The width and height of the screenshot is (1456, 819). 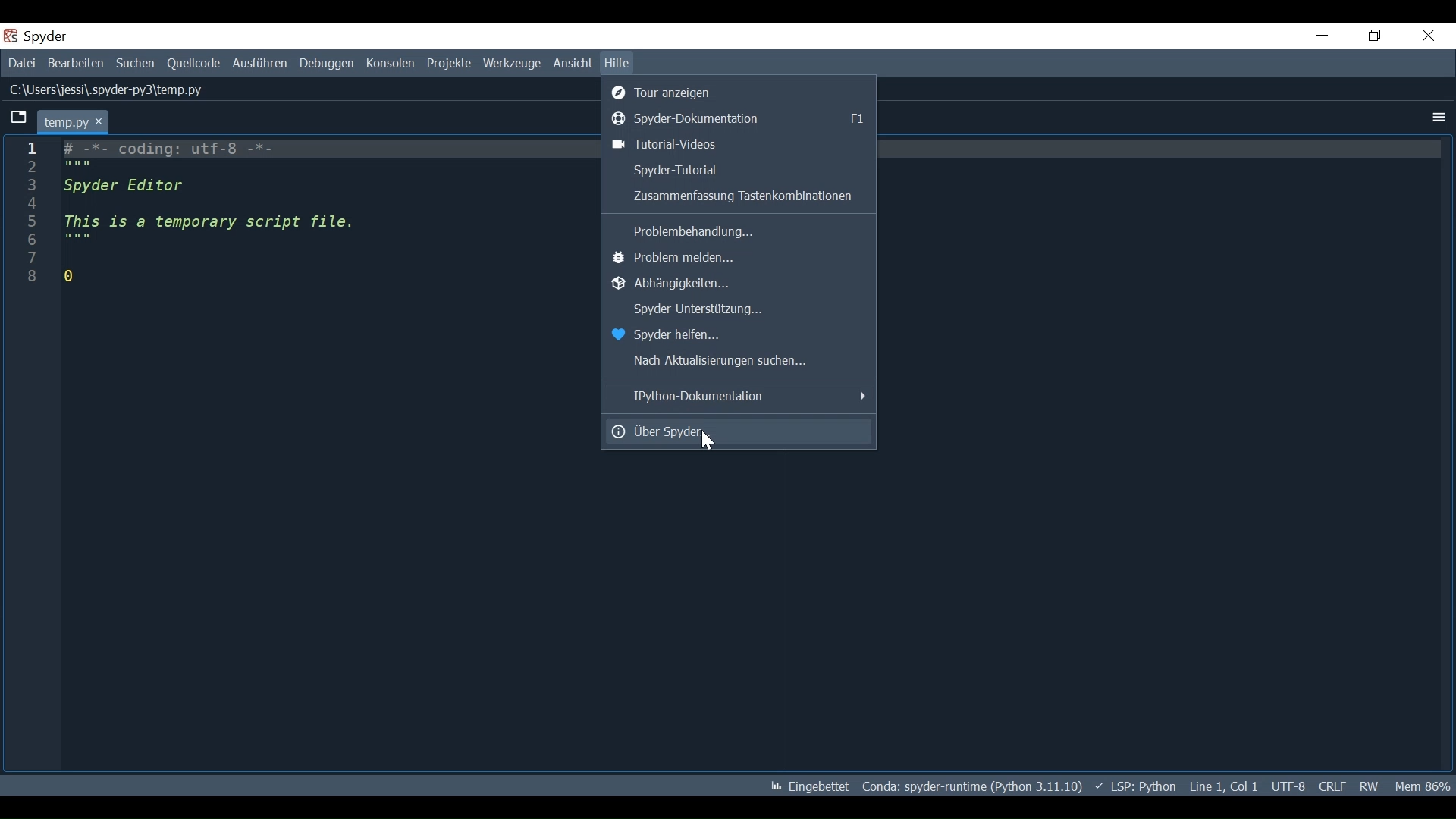 What do you see at coordinates (711, 442) in the screenshot?
I see `Cursor ` at bounding box center [711, 442].